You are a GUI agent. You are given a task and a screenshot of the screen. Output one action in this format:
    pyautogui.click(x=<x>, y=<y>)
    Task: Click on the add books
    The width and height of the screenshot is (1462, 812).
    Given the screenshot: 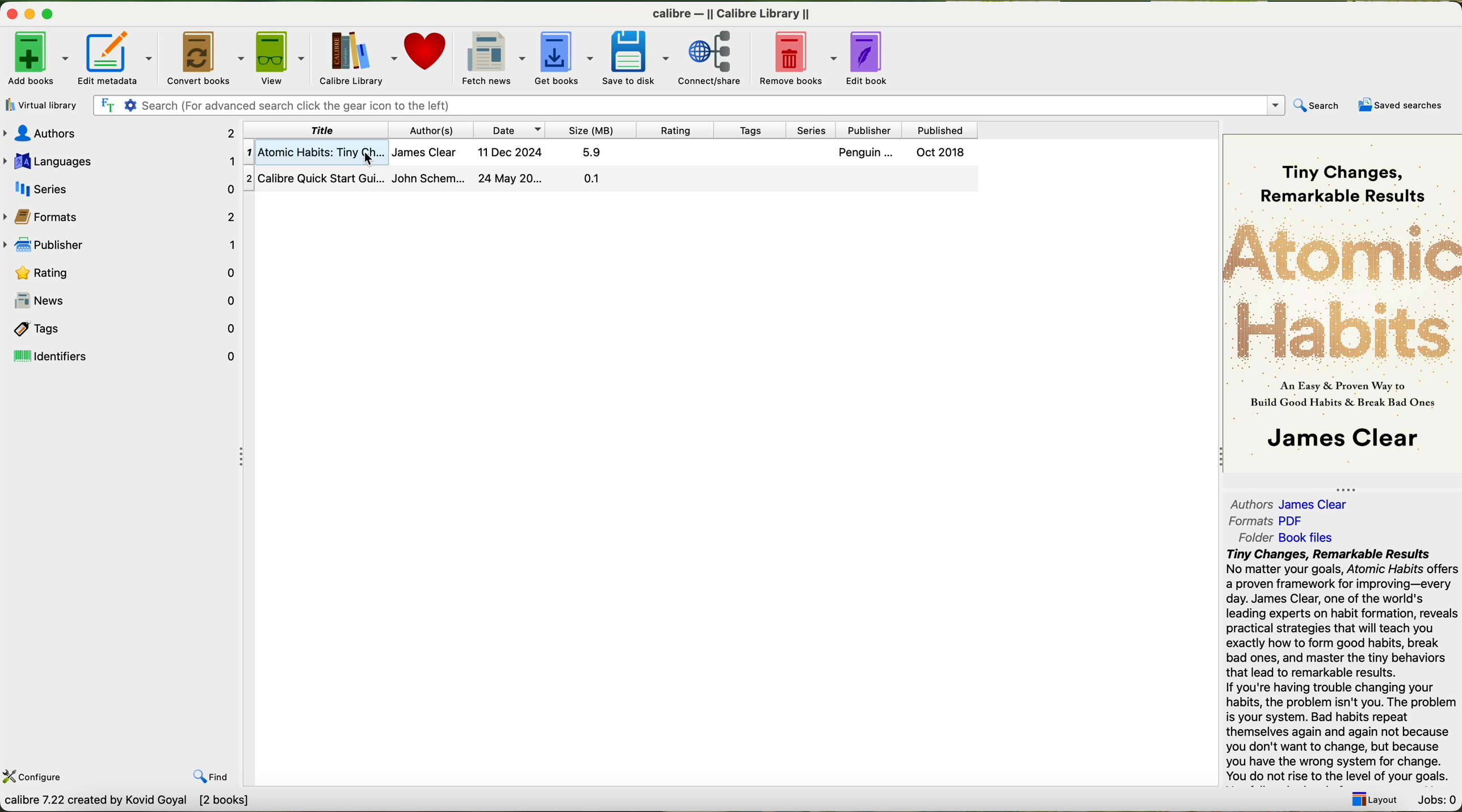 What is the action you would take?
    pyautogui.click(x=35, y=59)
    